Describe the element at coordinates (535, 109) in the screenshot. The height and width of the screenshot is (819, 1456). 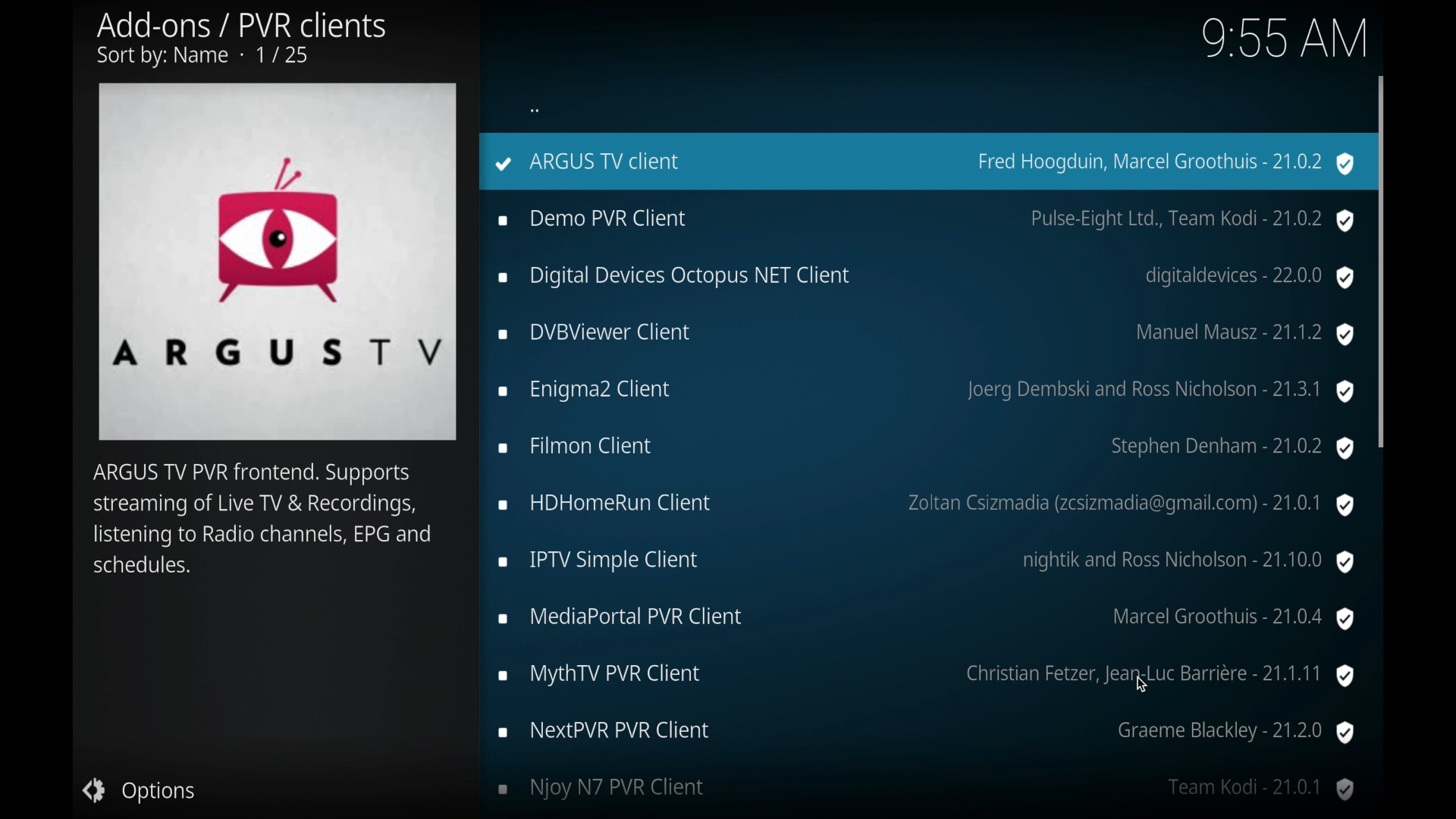
I see `dot icon` at that location.